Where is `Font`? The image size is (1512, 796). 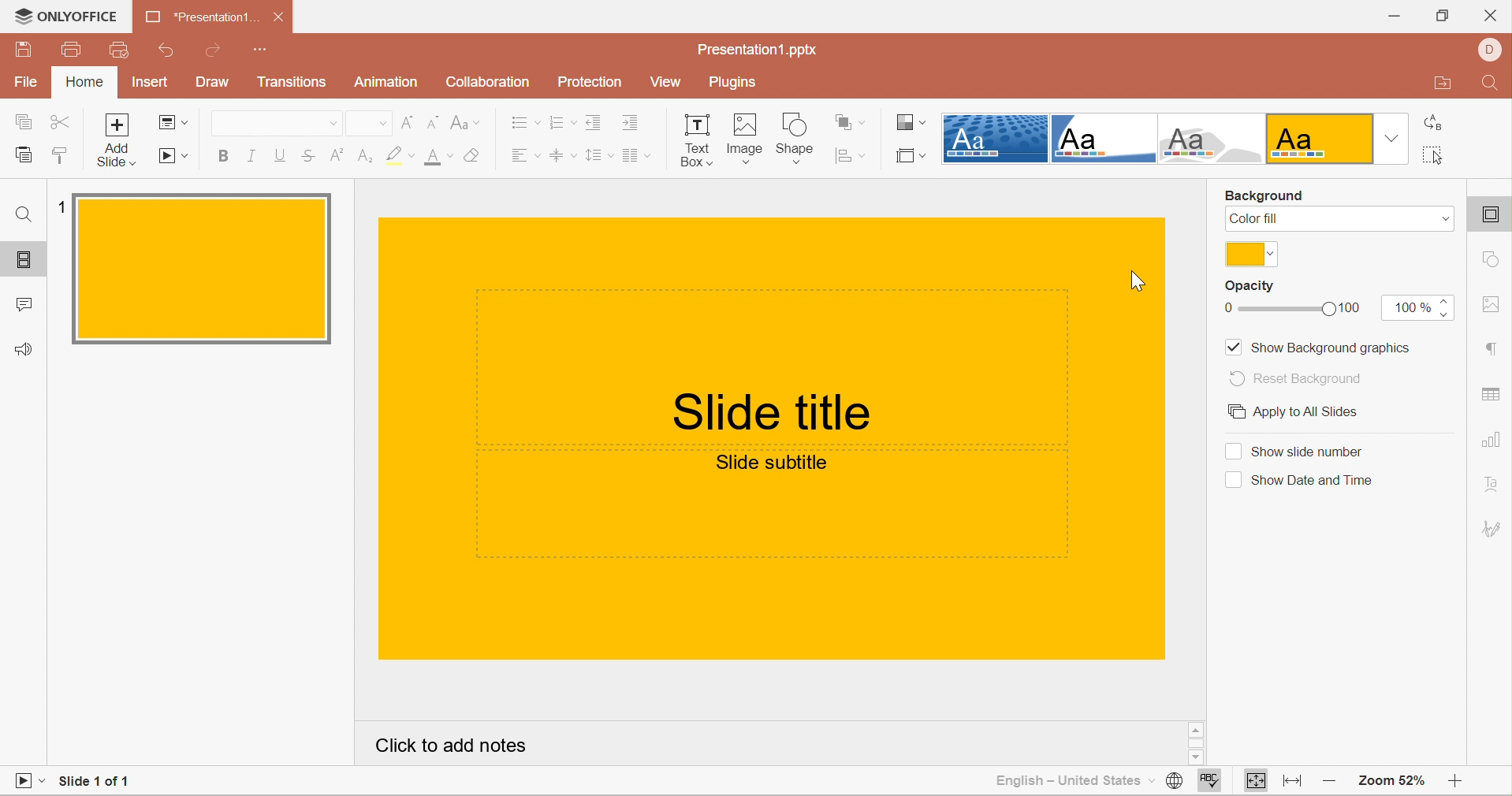
Font is located at coordinates (269, 126).